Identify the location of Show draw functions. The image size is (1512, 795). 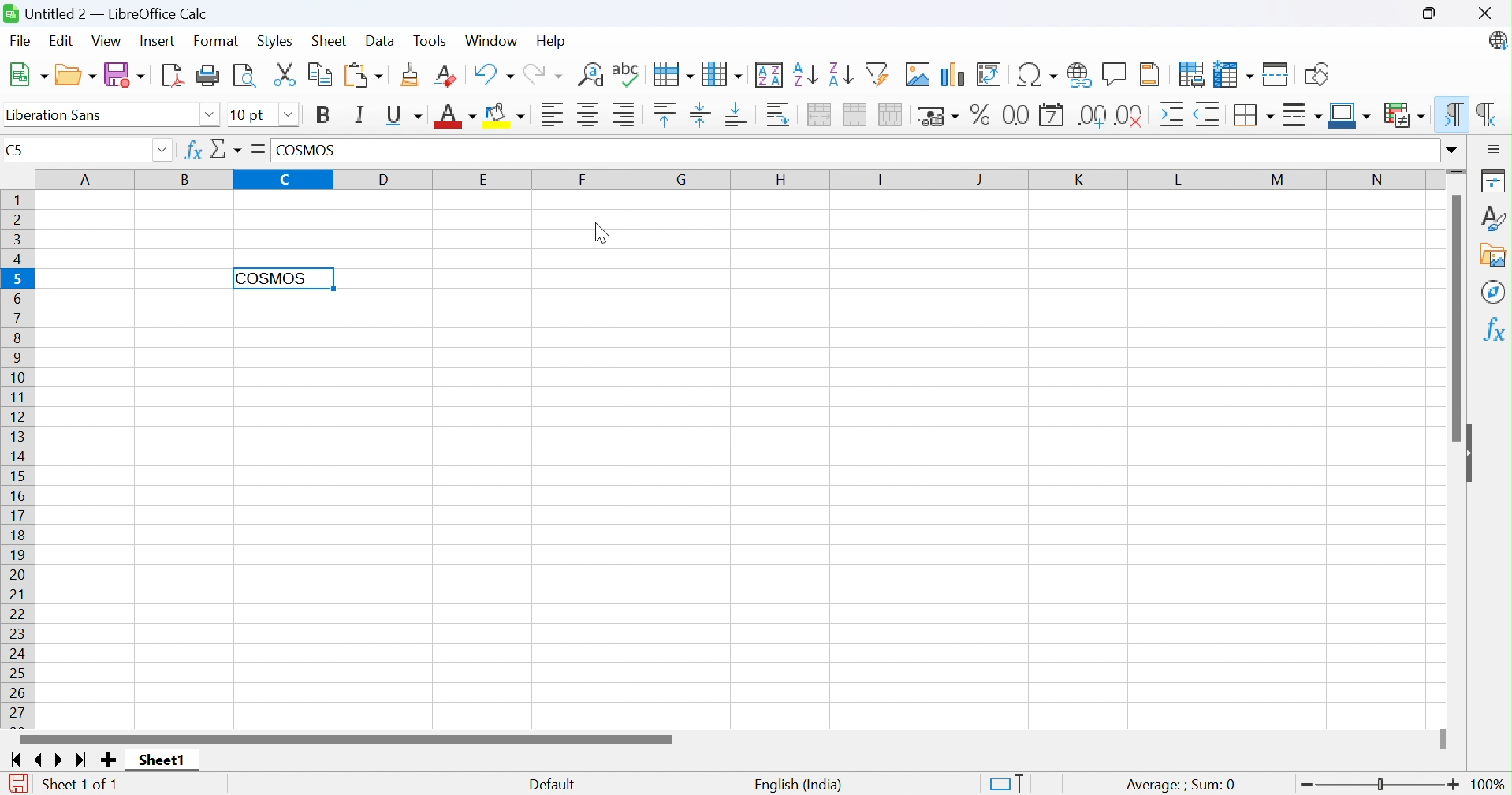
(1316, 73).